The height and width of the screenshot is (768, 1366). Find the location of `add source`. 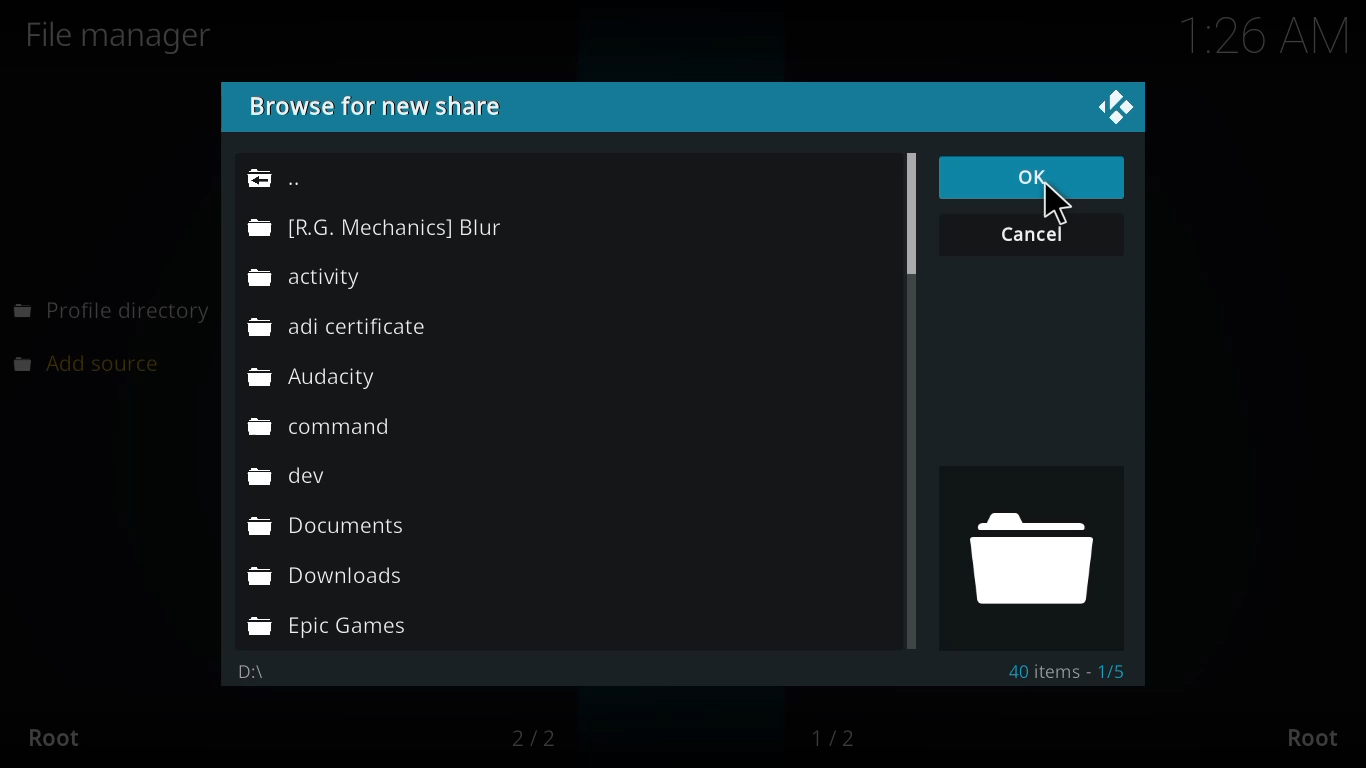

add source is located at coordinates (97, 362).